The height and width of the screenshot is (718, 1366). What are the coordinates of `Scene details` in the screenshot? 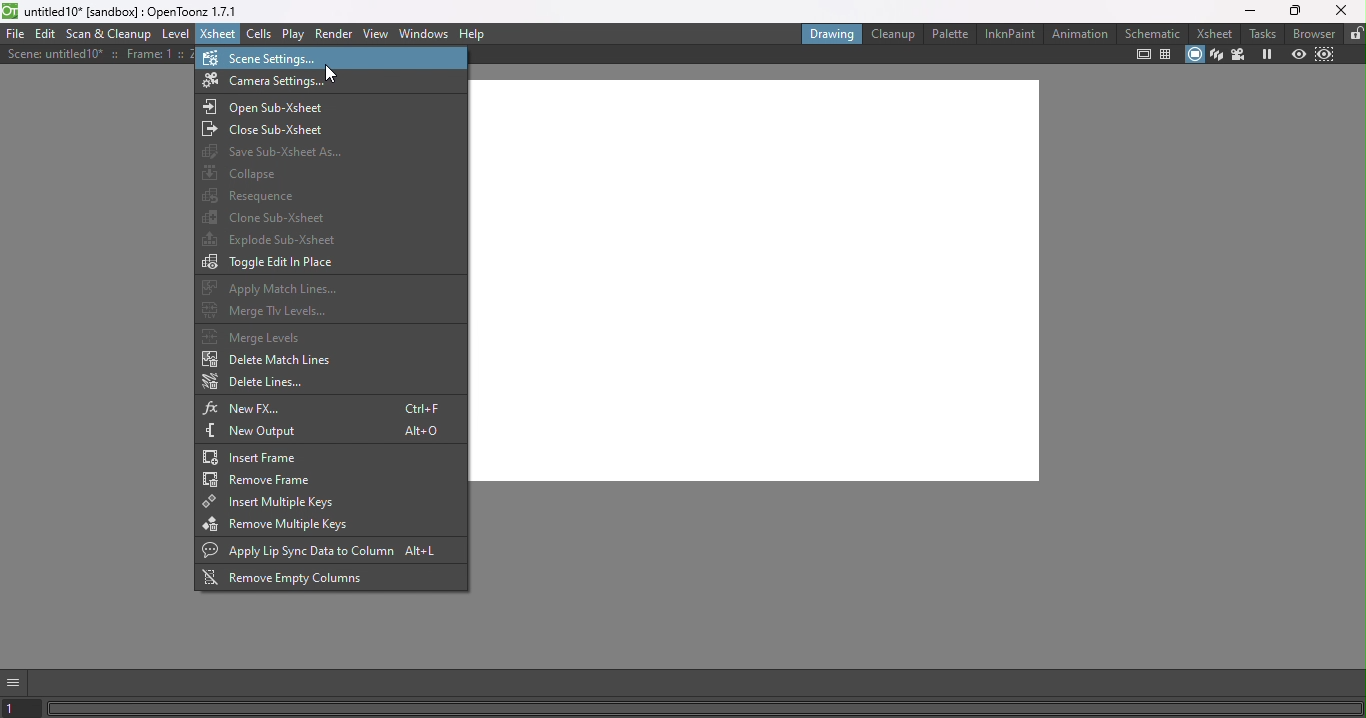 It's located at (98, 56).